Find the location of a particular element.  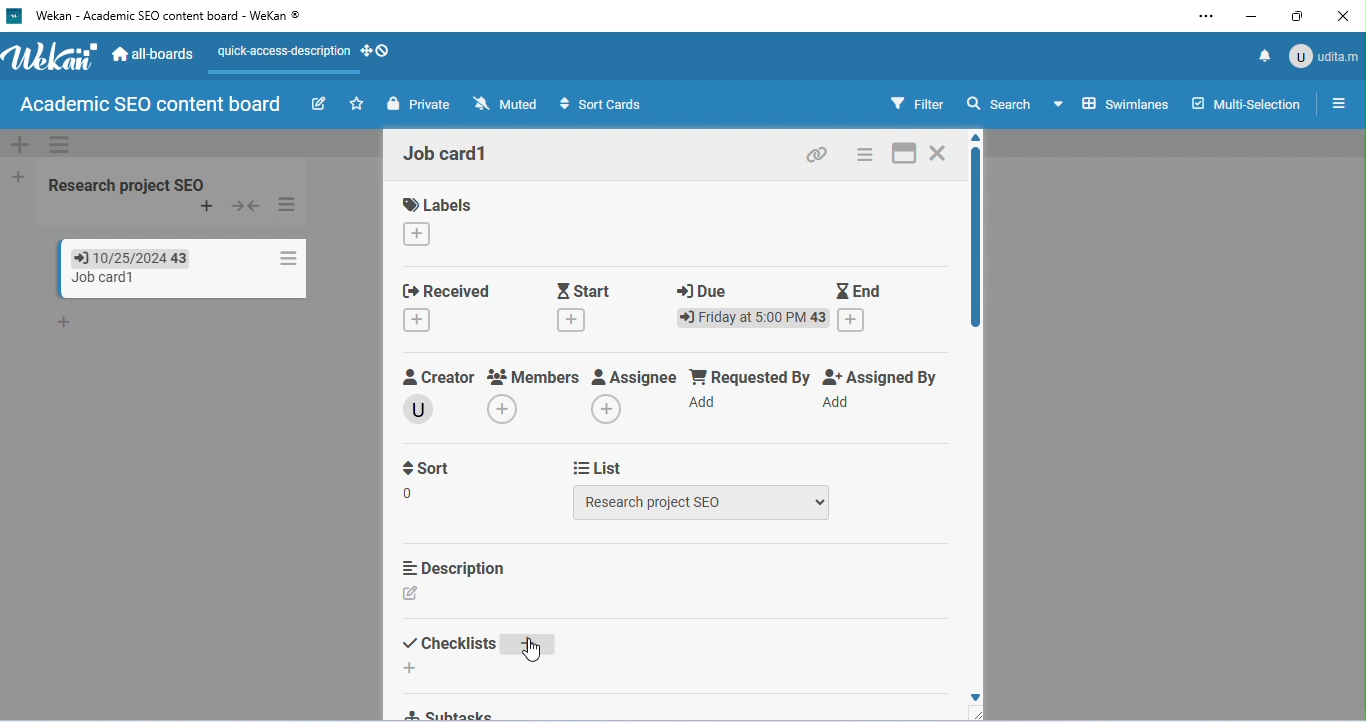

add received date is located at coordinates (418, 321).